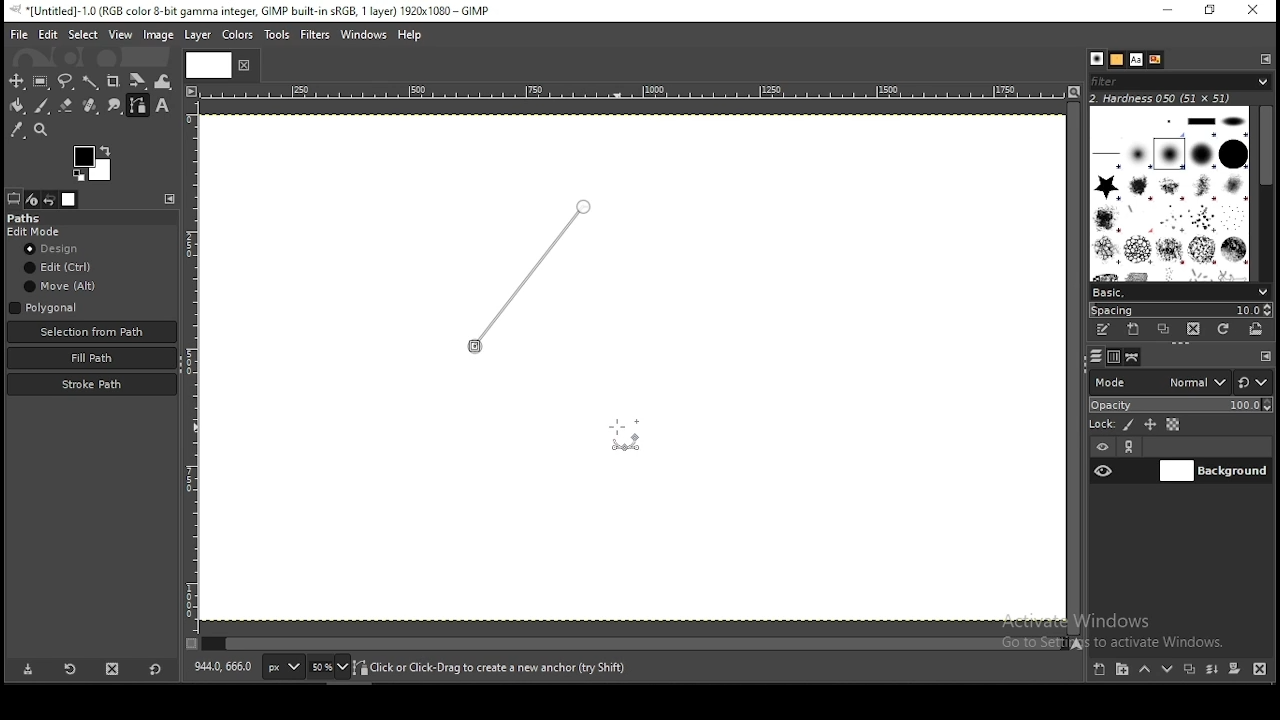  I want to click on tool options, so click(14, 198).